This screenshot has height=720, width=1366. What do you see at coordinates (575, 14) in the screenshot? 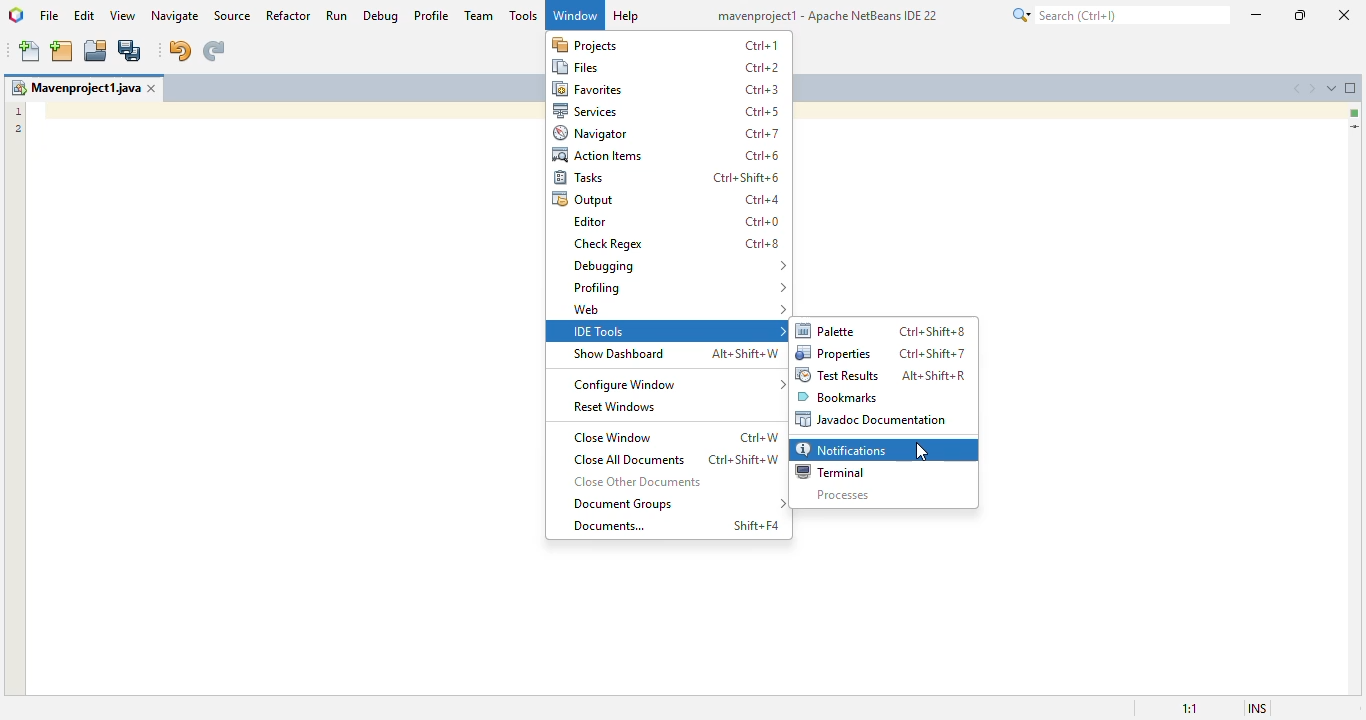
I see `window` at bounding box center [575, 14].